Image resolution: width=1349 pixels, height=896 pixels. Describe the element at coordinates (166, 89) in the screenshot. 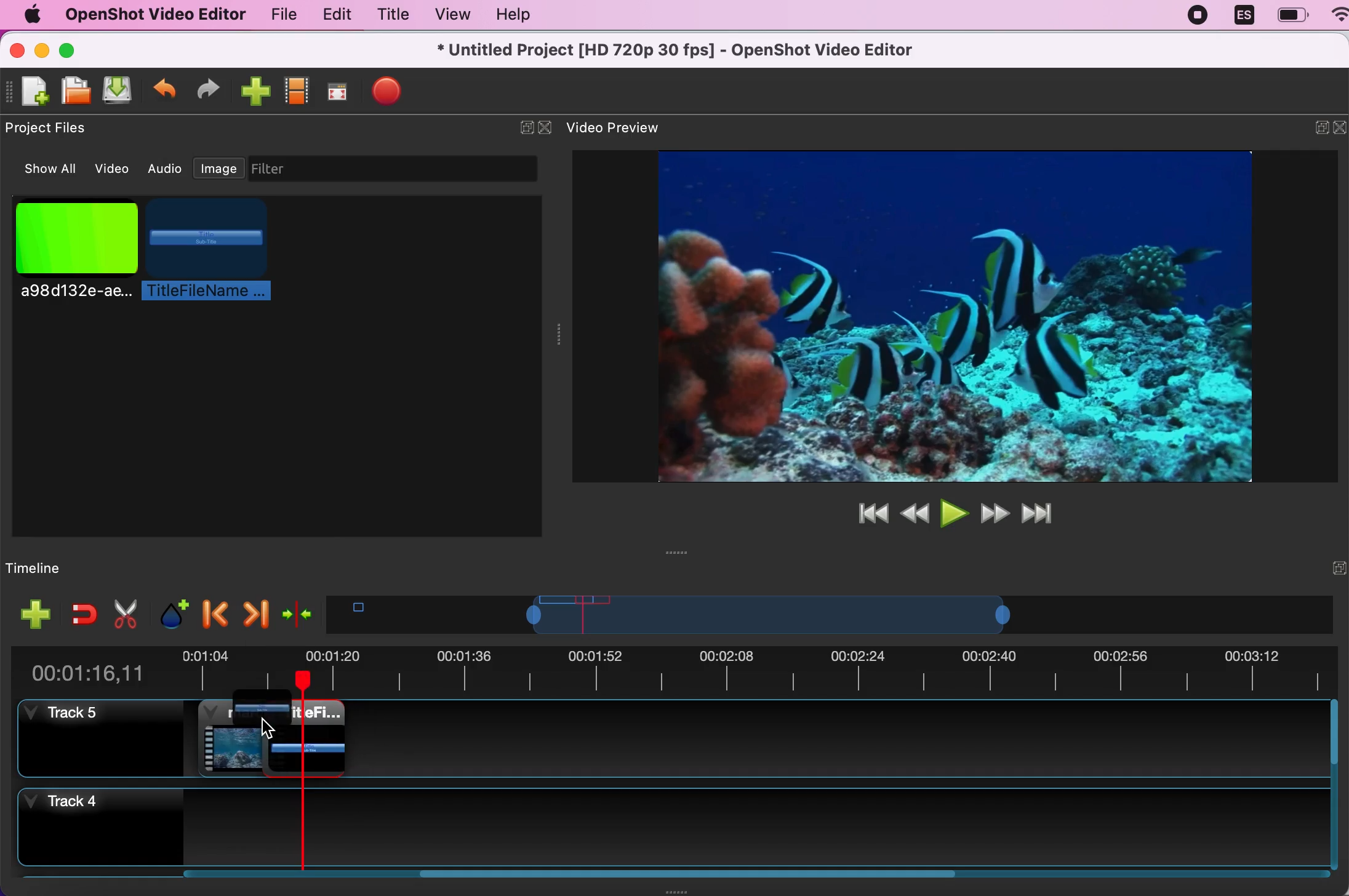

I see `undo` at that location.